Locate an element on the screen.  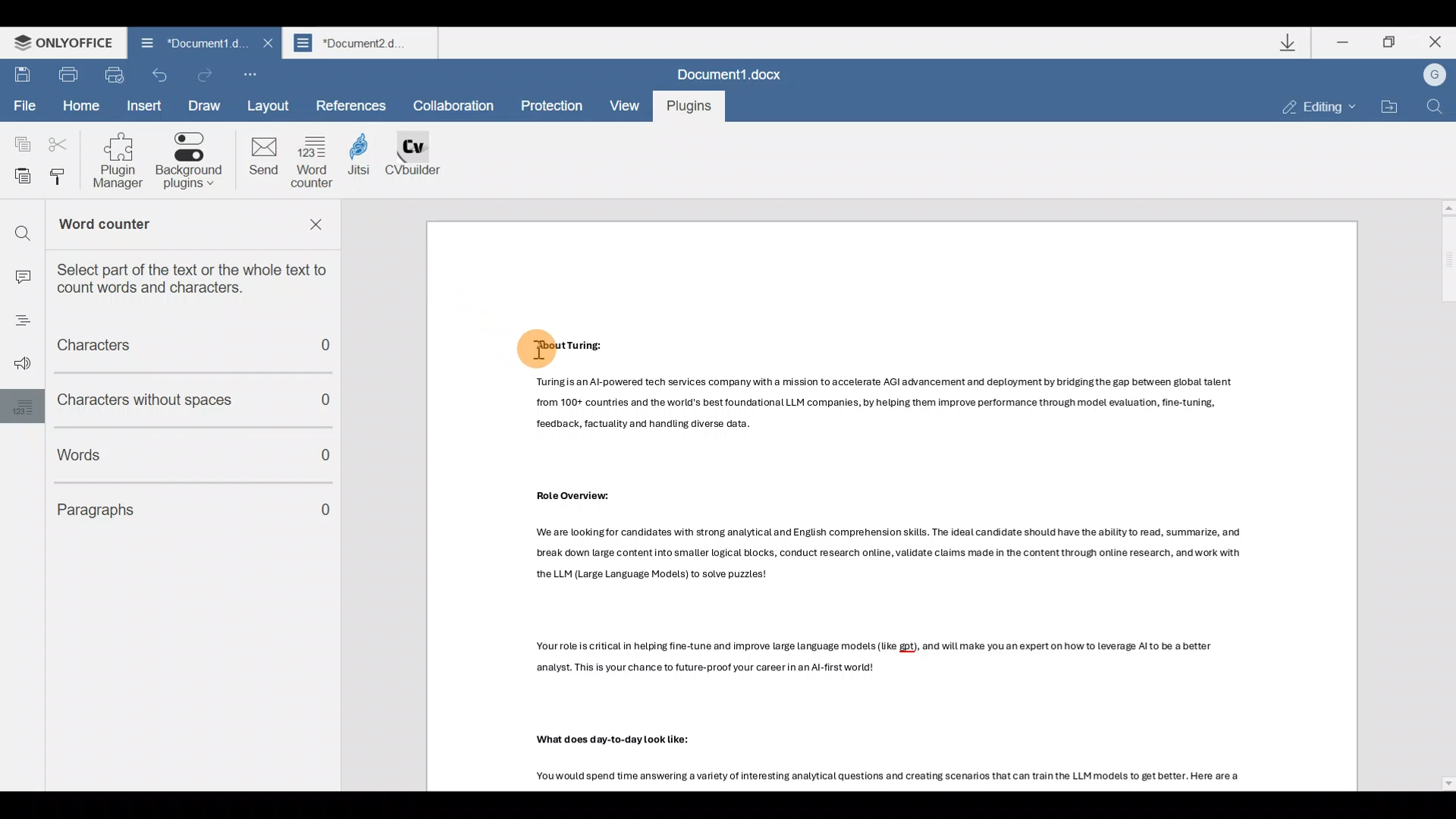
Document.docx is located at coordinates (731, 71).